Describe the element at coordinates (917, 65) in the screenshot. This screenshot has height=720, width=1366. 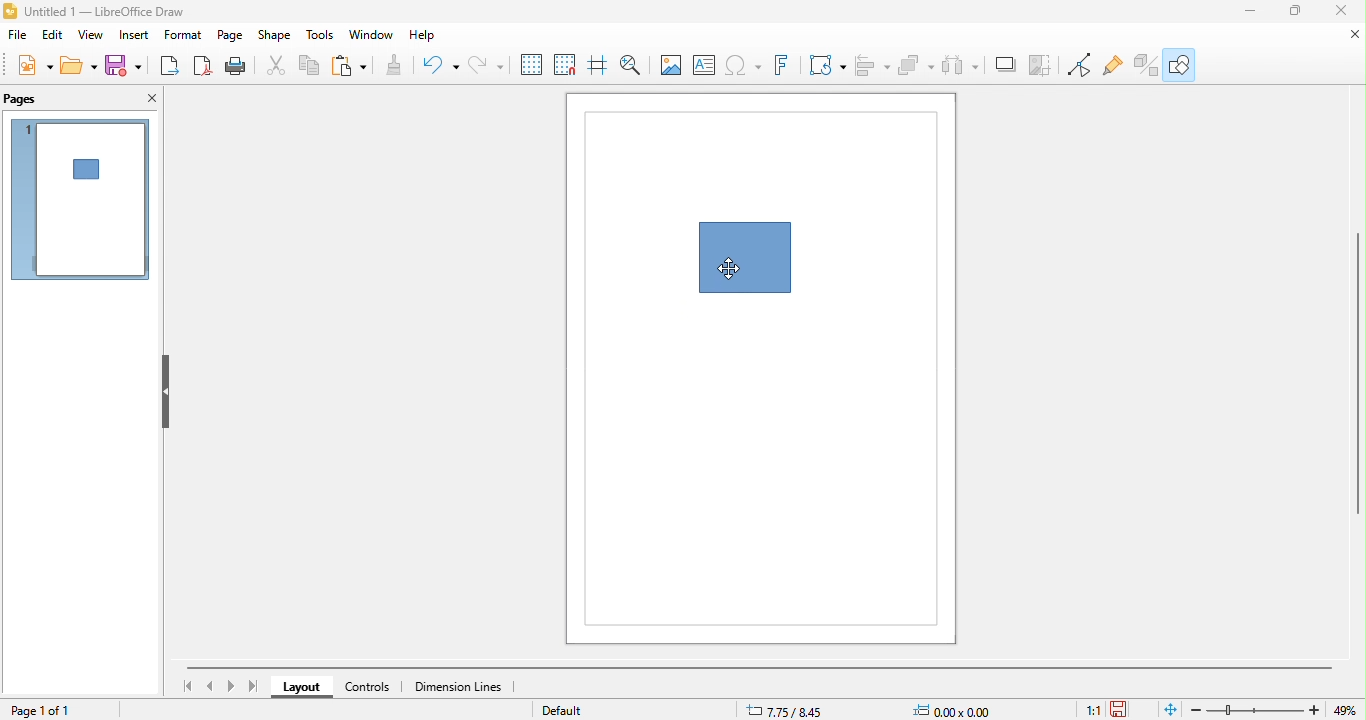
I see `select at least three object to distribute` at that location.